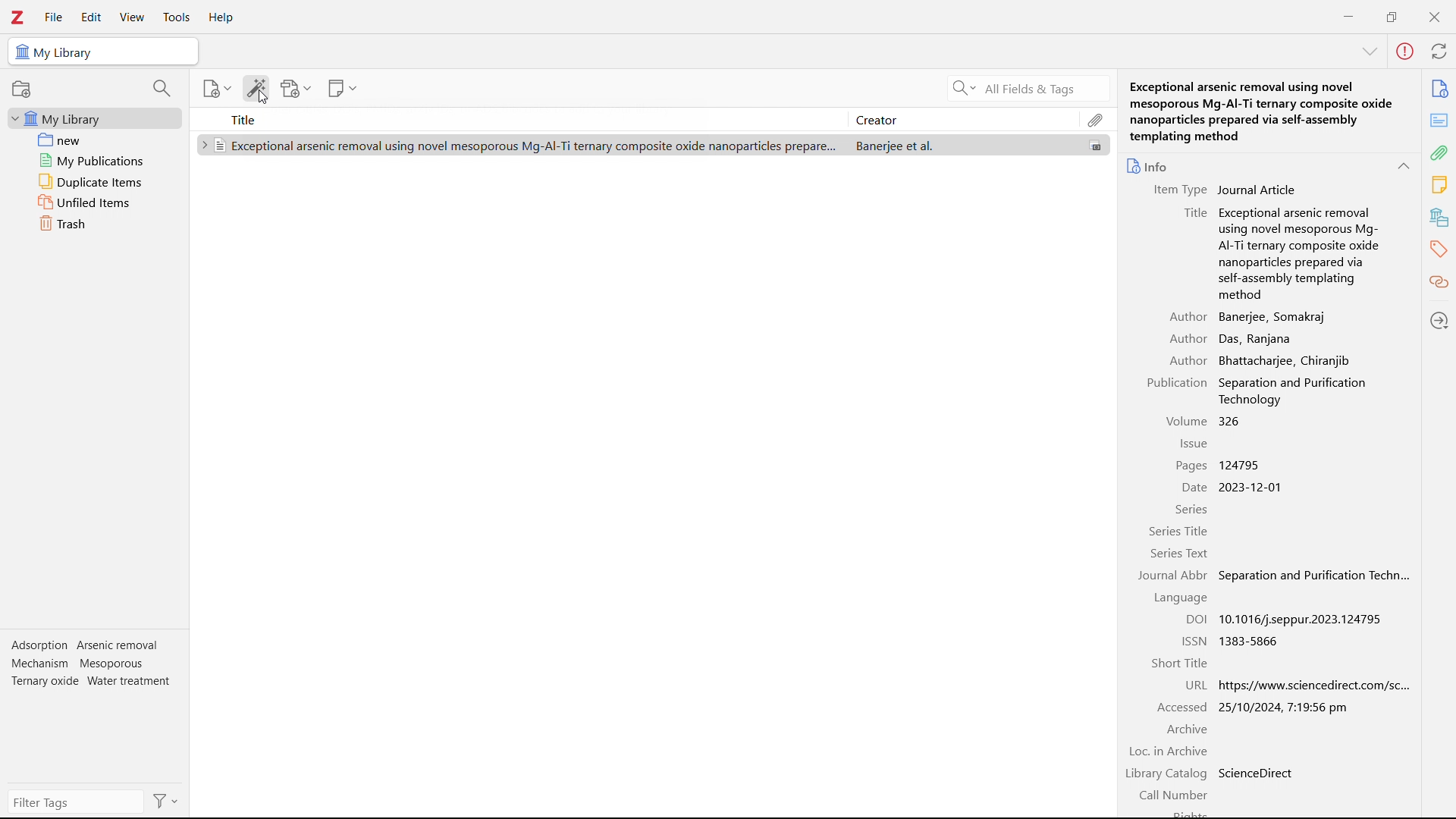 The width and height of the screenshot is (1456, 819). Describe the element at coordinates (221, 18) in the screenshot. I see `help` at that location.